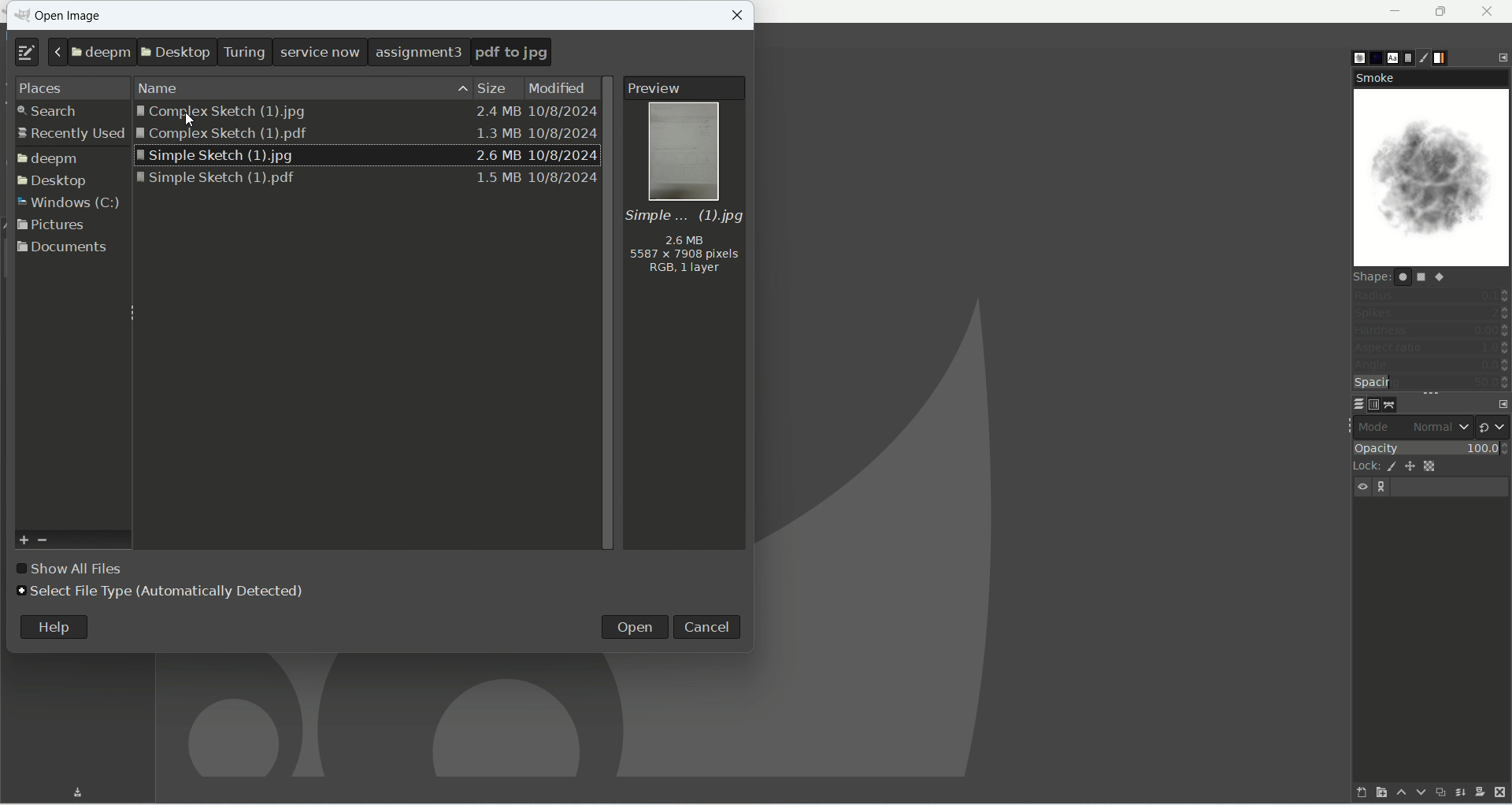  What do you see at coordinates (1400, 792) in the screenshot?
I see `raise this layer` at bounding box center [1400, 792].